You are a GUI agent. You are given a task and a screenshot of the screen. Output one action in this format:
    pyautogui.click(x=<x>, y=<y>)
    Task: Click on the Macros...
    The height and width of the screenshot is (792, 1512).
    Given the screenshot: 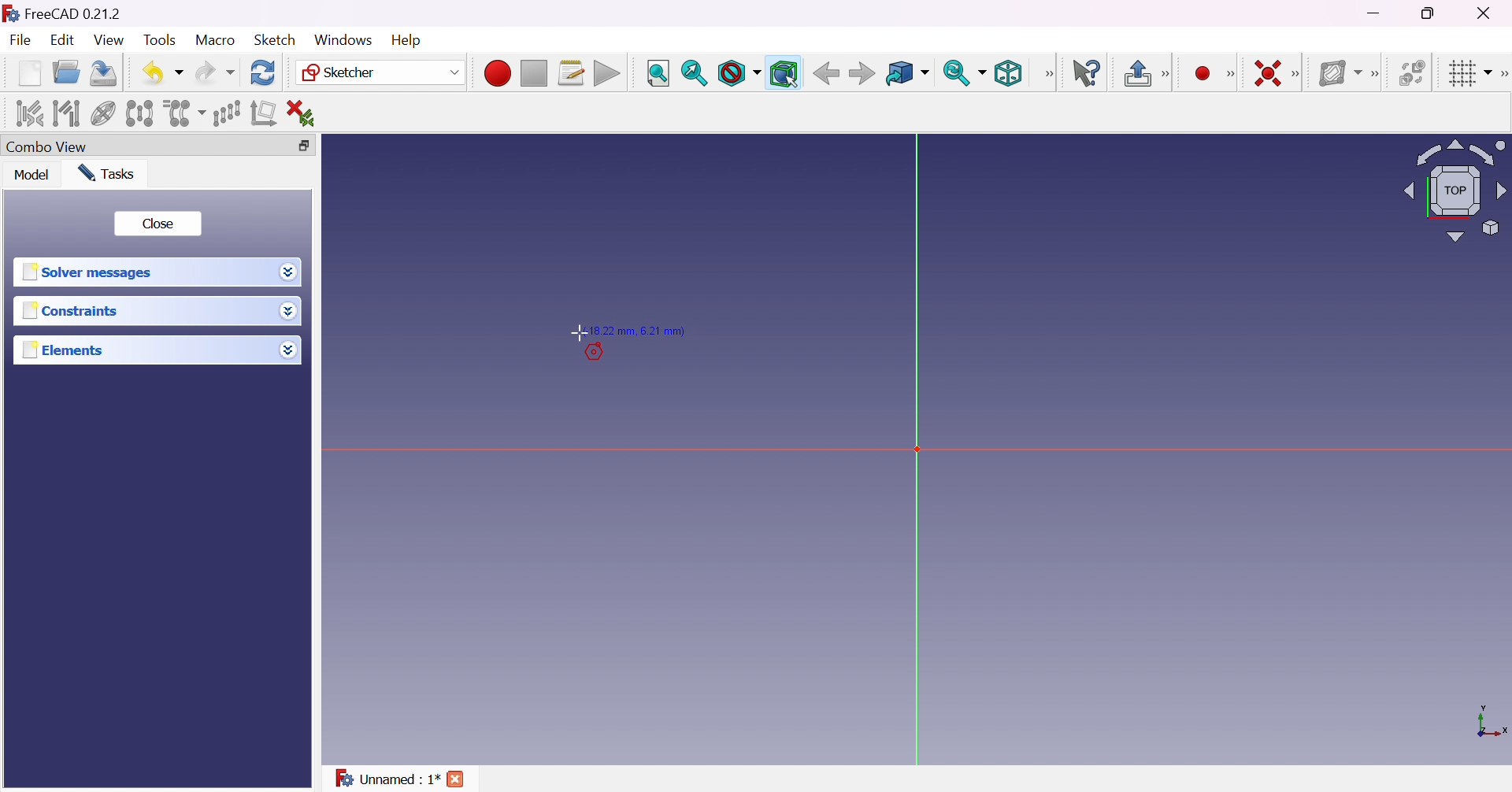 What is the action you would take?
    pyautogui.click(x=571, y=73)
    